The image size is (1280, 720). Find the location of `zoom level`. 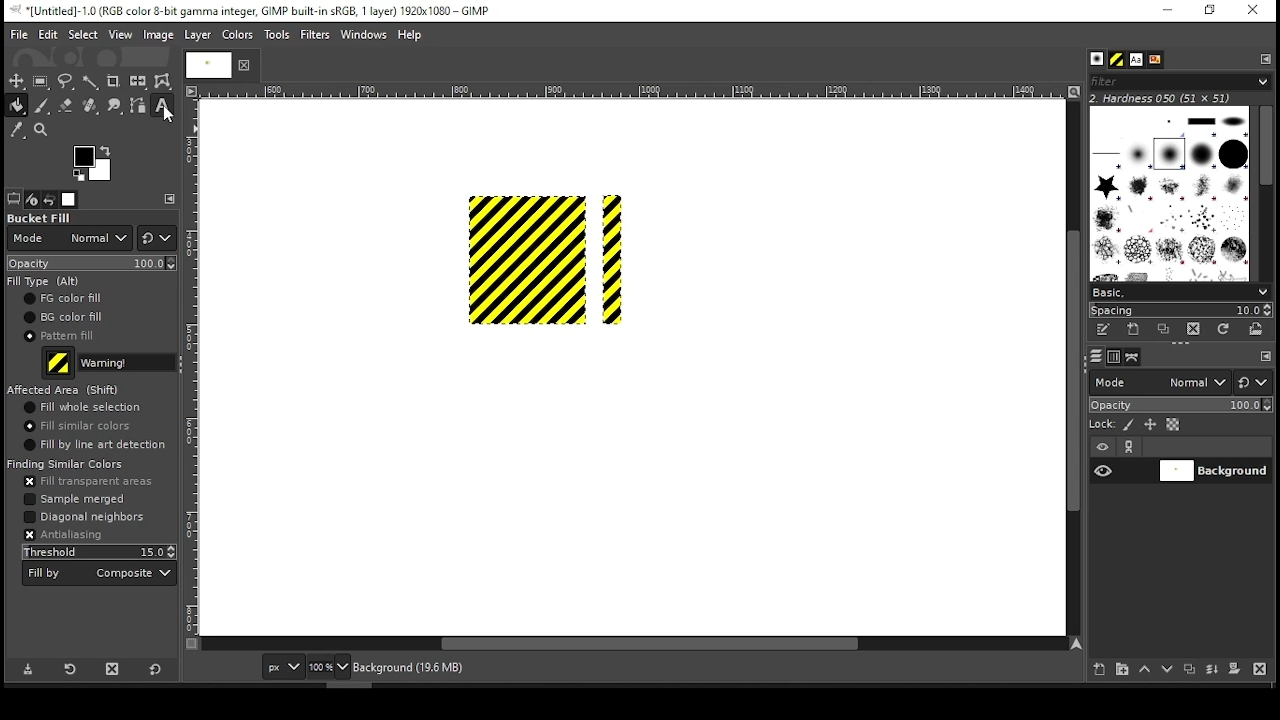

zoom level is located at coordinates (328, 669).